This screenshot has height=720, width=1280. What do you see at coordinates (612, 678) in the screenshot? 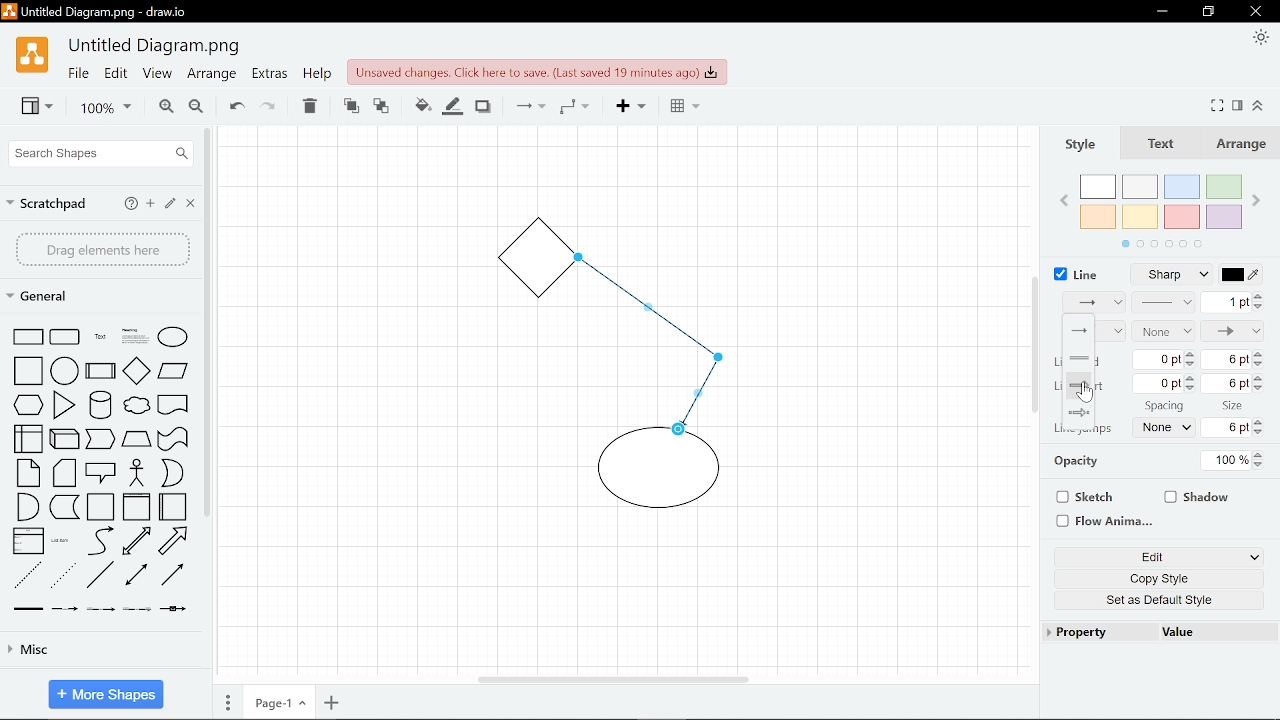
I see `horizontal scrolling bar` at bounding box center [612, 678].